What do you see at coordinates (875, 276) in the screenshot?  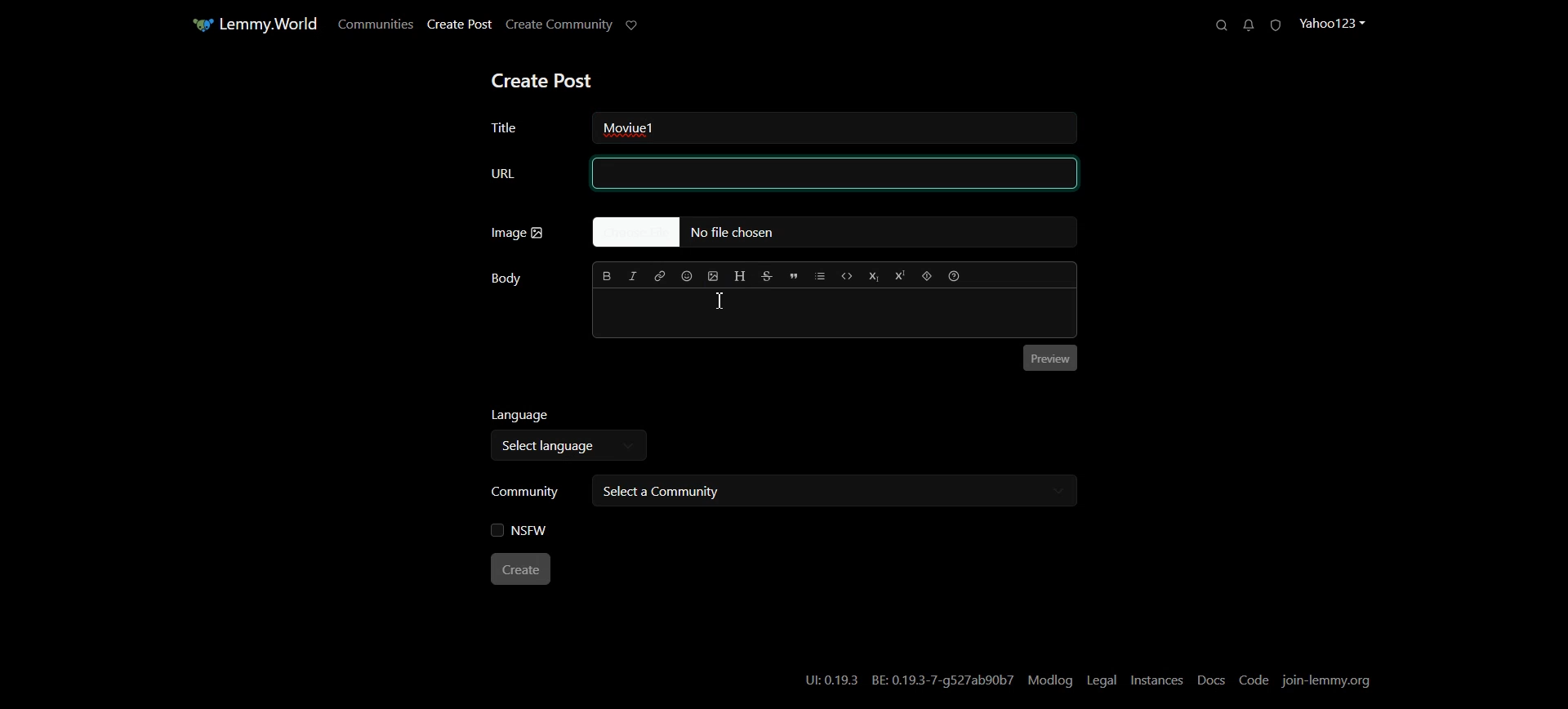 I see `Subscript` at bounding box center [875, 276].